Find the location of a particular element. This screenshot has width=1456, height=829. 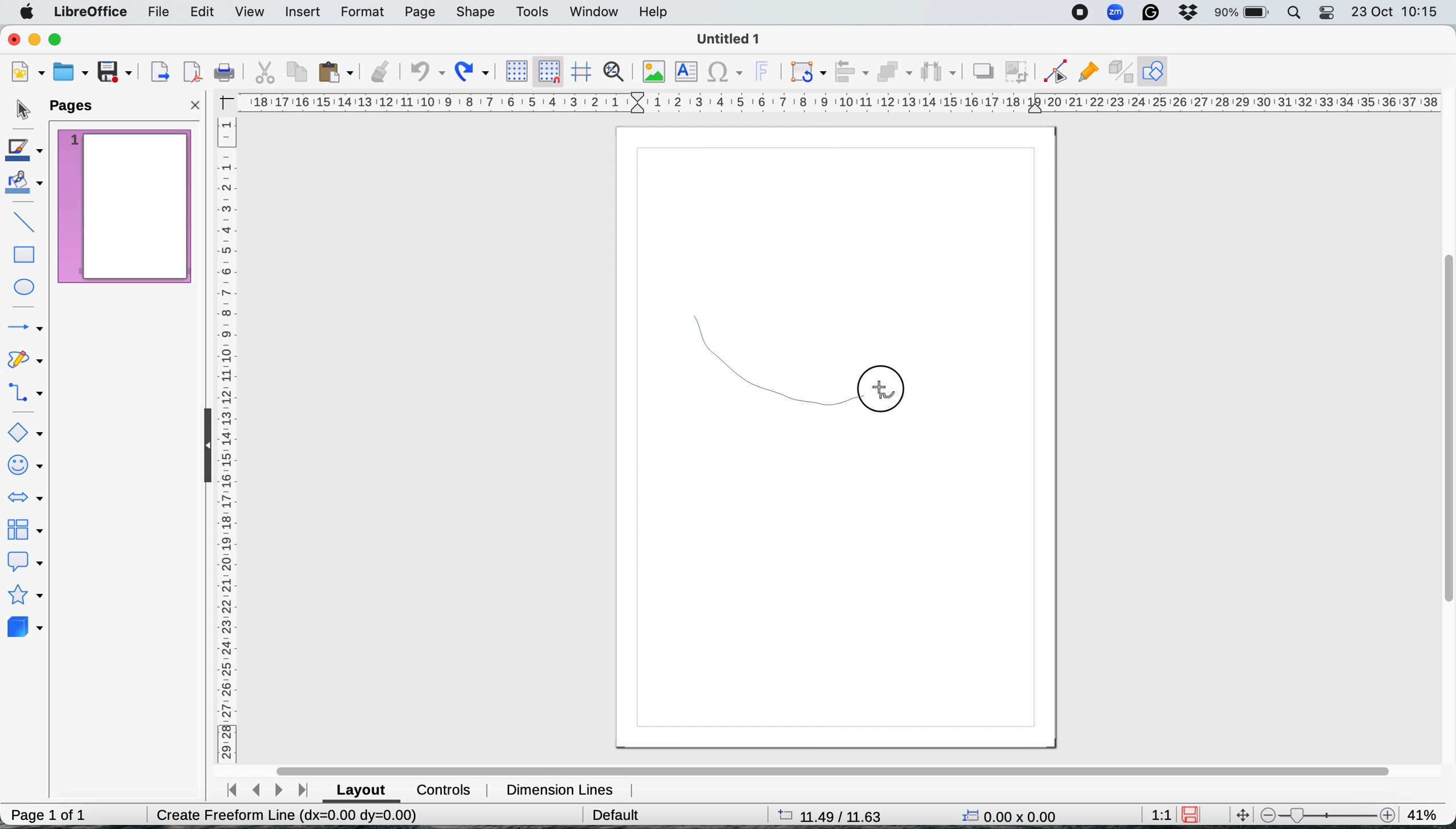

curves and polygons is located at coordinates (24, 358).